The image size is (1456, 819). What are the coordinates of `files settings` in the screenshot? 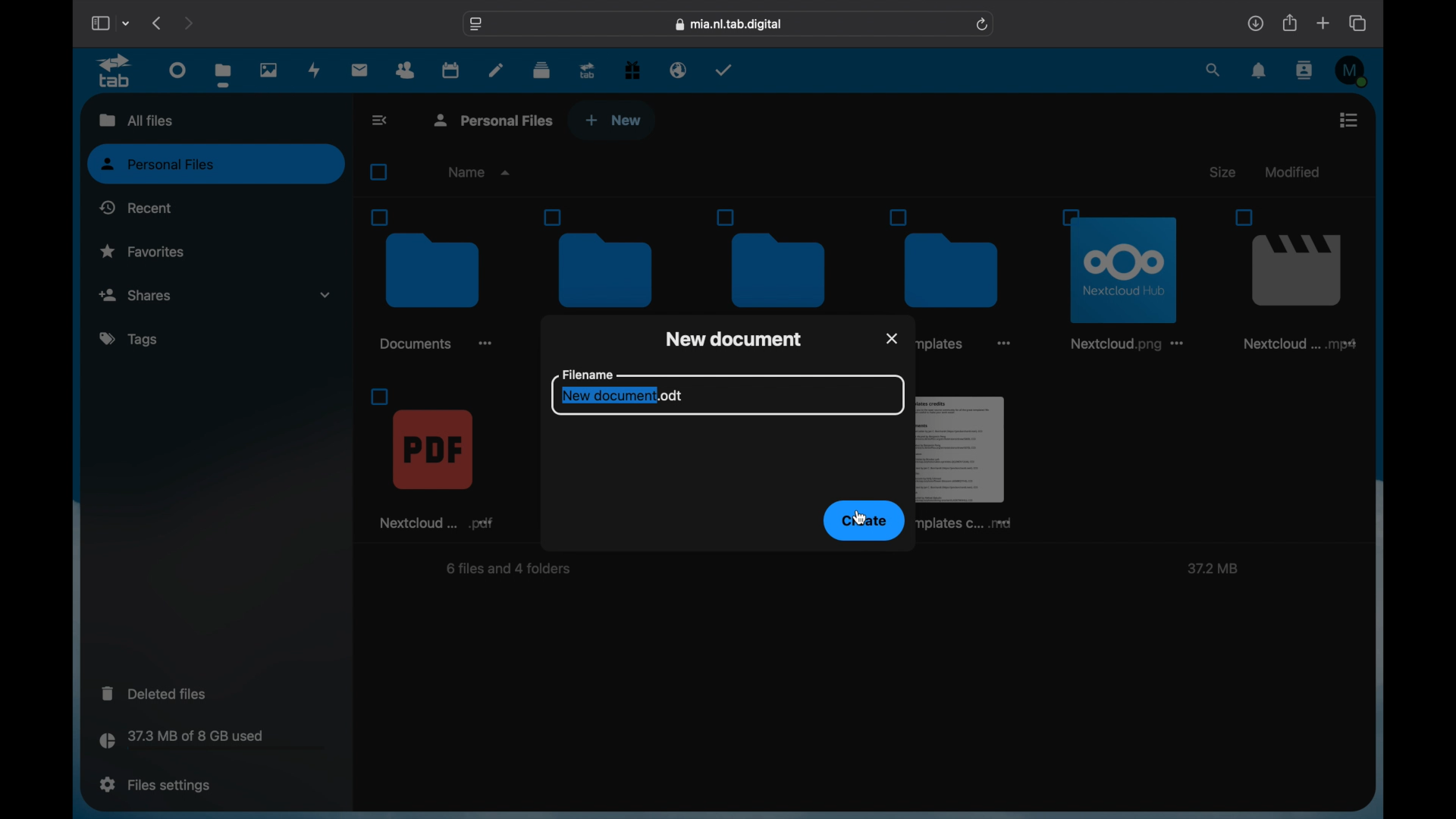 It's located at (155, 785).